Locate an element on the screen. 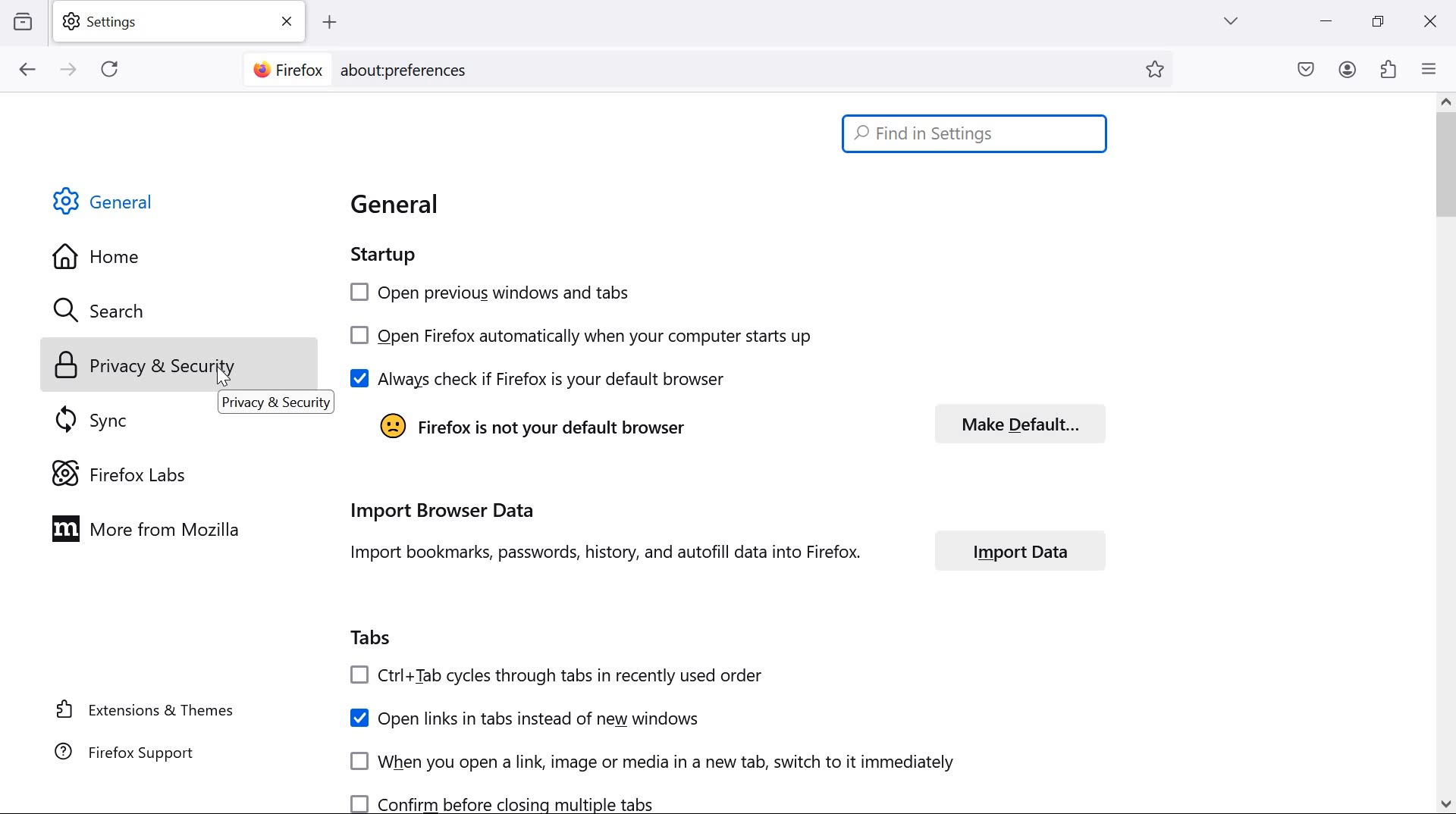  account is located at coordinates (1348, 70).